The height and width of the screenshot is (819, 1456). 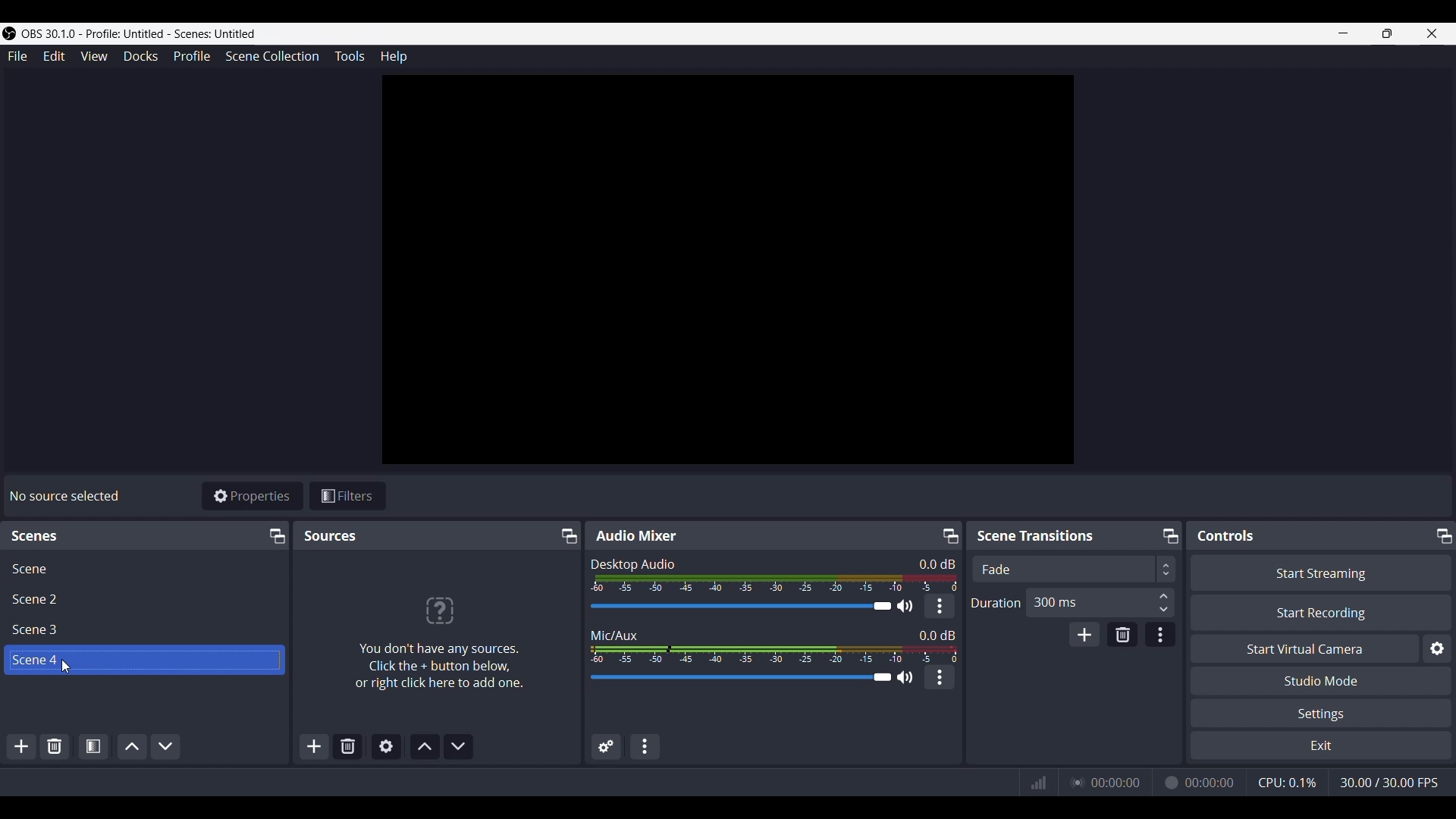 I want to click on minimize, so click(x=1342, y=33).